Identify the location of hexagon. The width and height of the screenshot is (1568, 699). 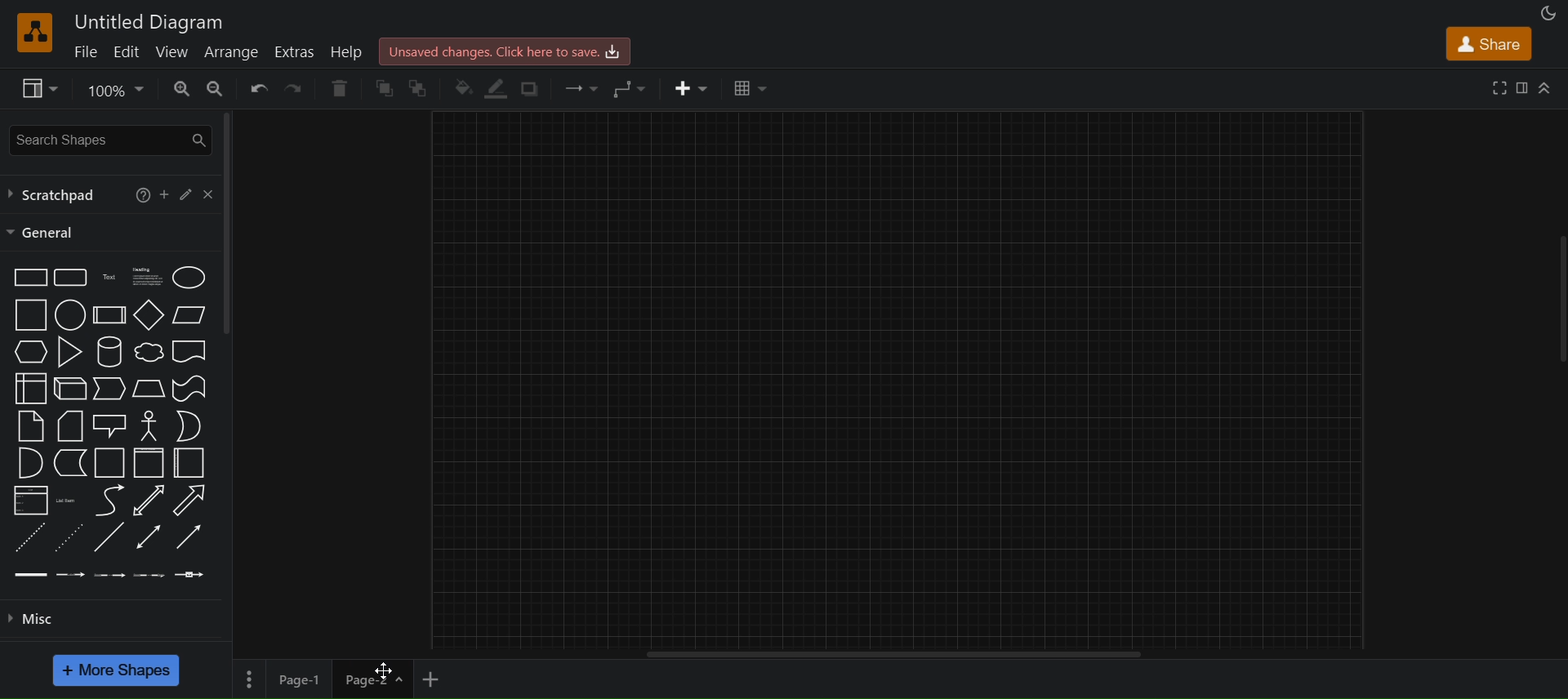
(32, 352).